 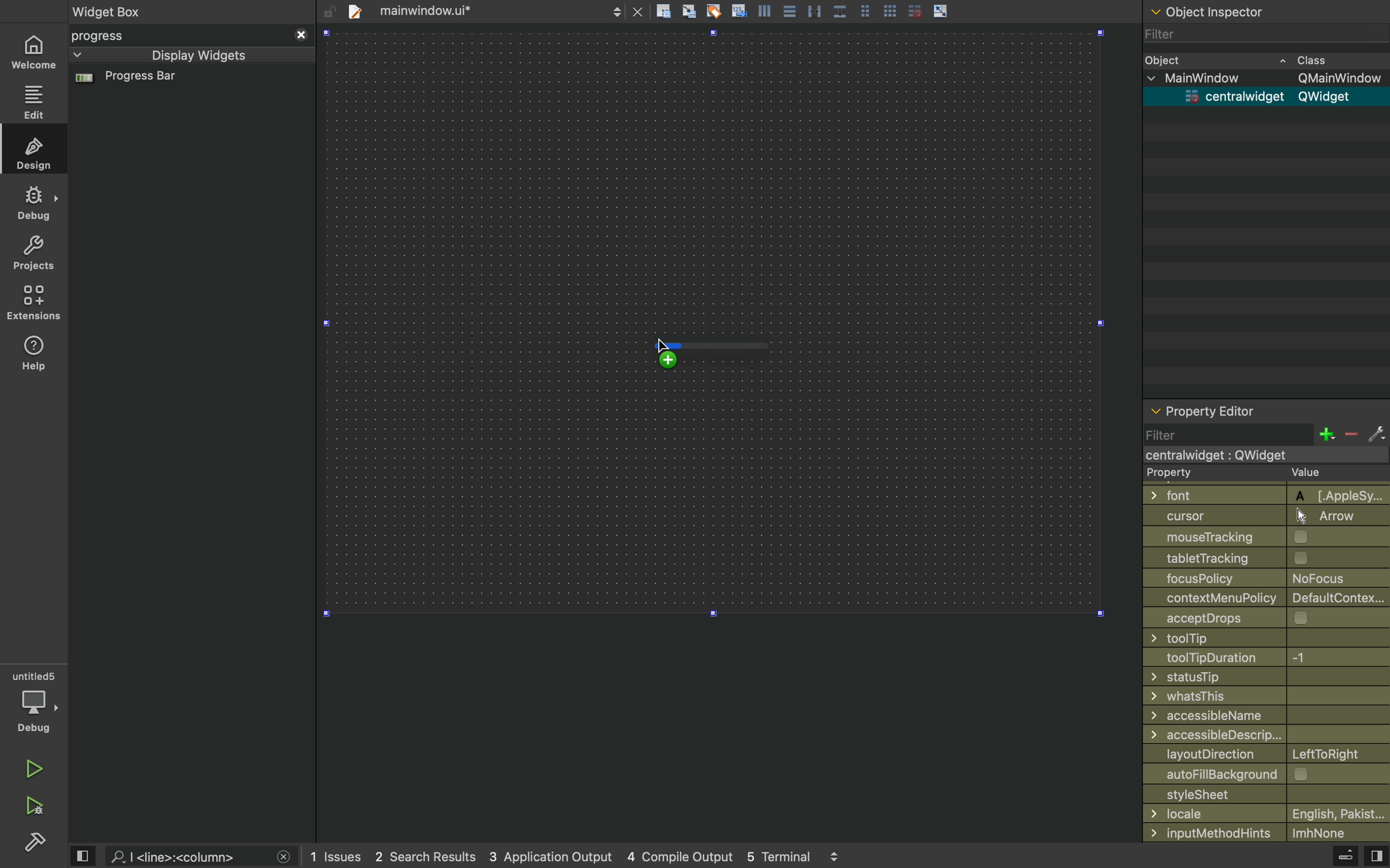 What do you see at coordinates (1257, 617) in the screenshot?
I see `acceptdrops` at bounding box center [1257, 617].